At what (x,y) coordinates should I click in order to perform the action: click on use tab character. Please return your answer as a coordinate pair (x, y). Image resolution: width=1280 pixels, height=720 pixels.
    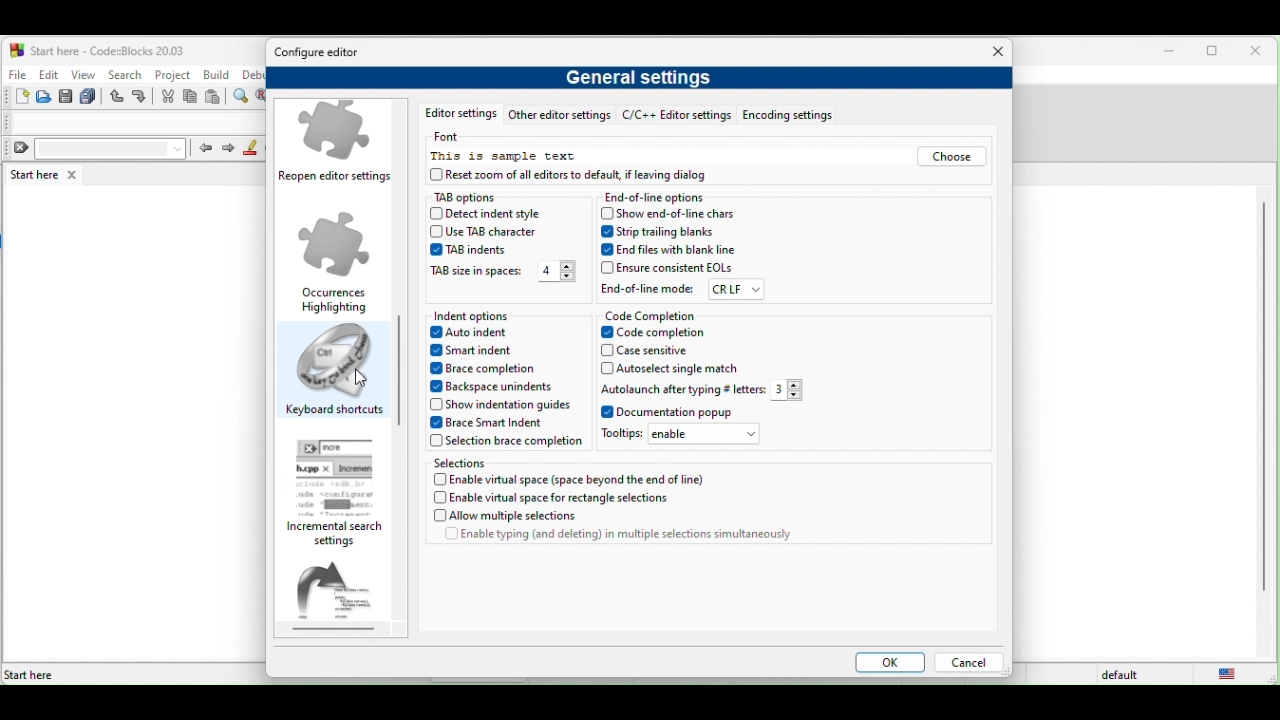
    Looking at the image, I should click on (489, 232).